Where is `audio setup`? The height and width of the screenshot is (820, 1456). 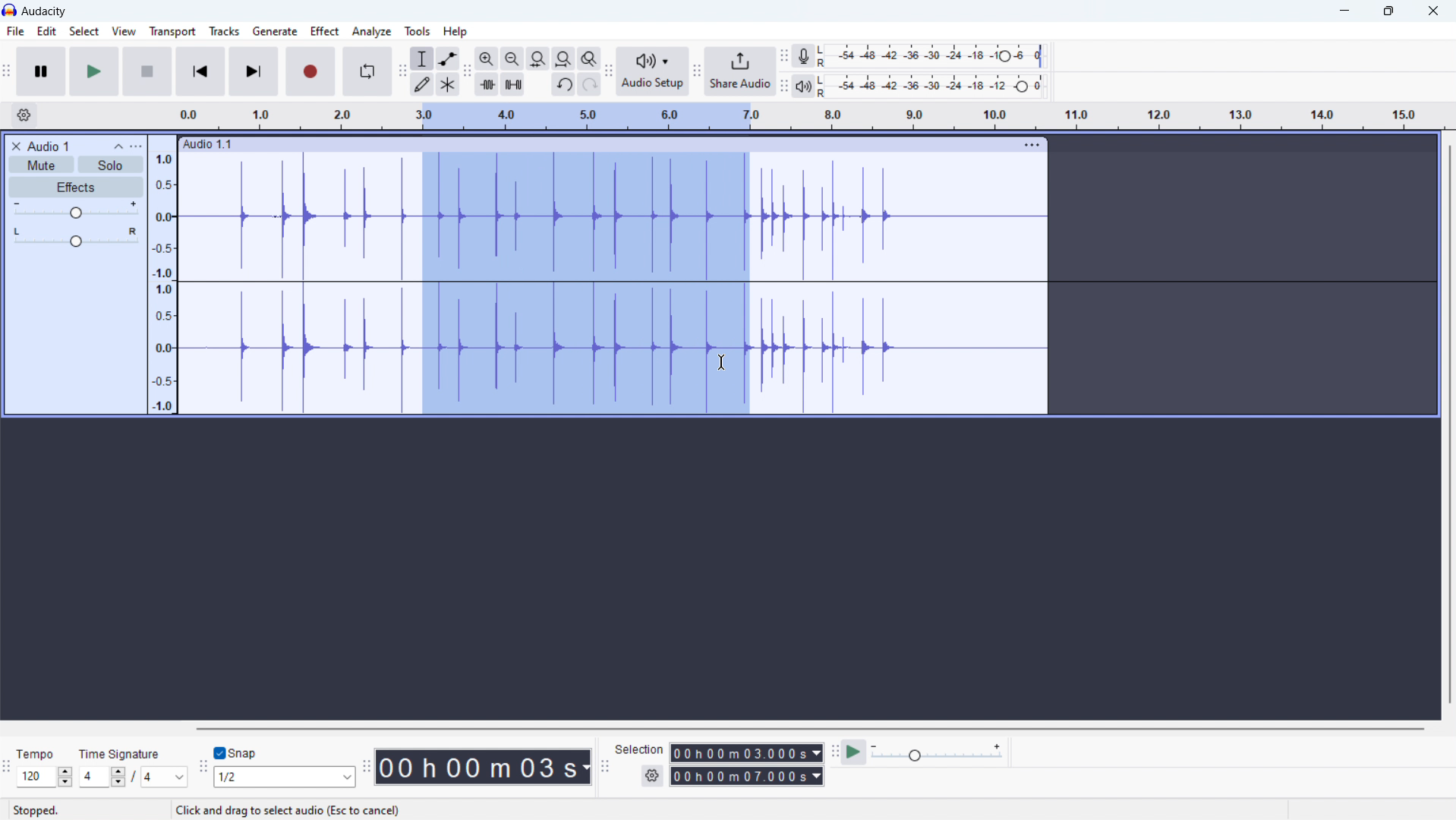
audio setup is located at coordinates (654, 71).